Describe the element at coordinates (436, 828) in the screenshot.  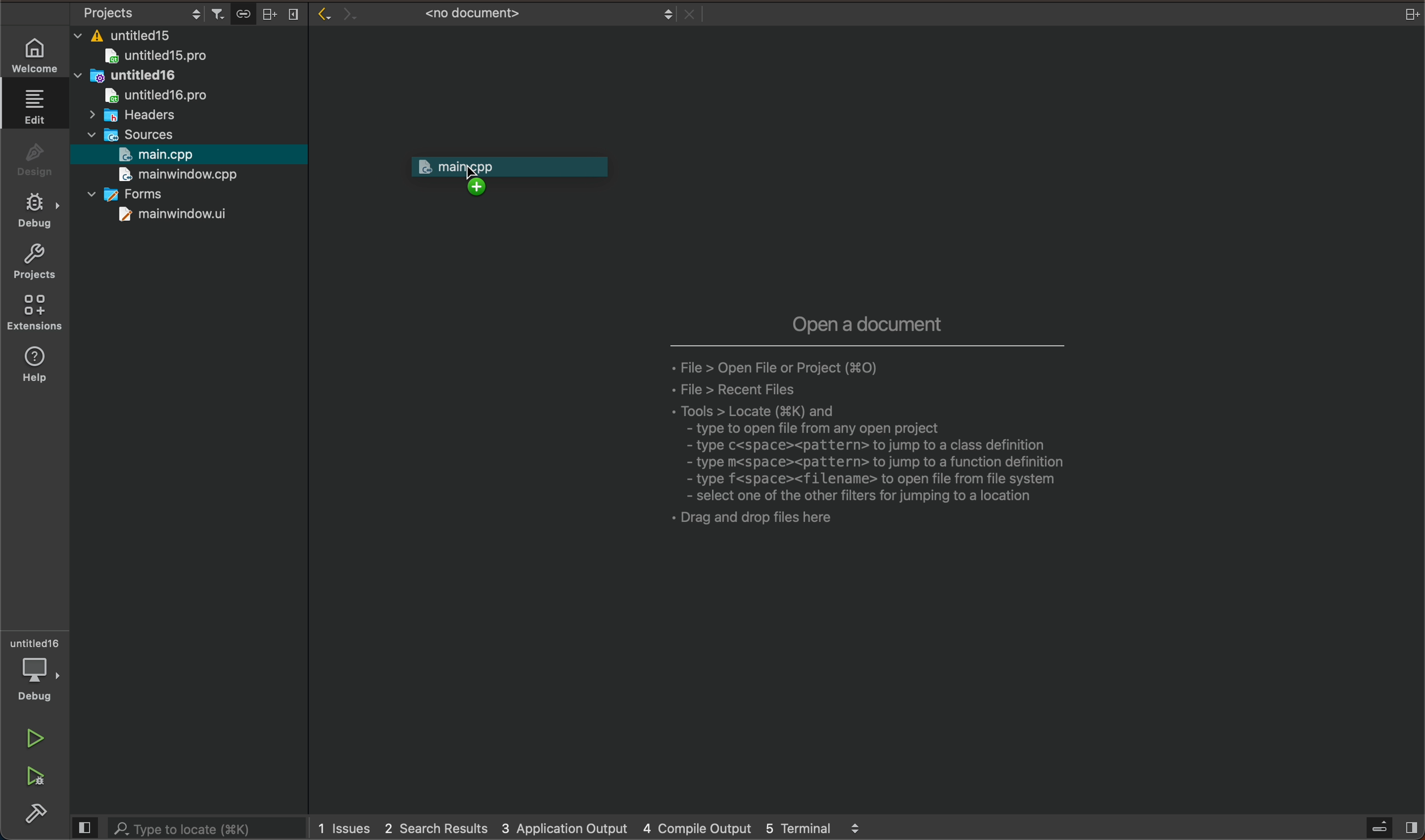
I see `2 search results` at that location.